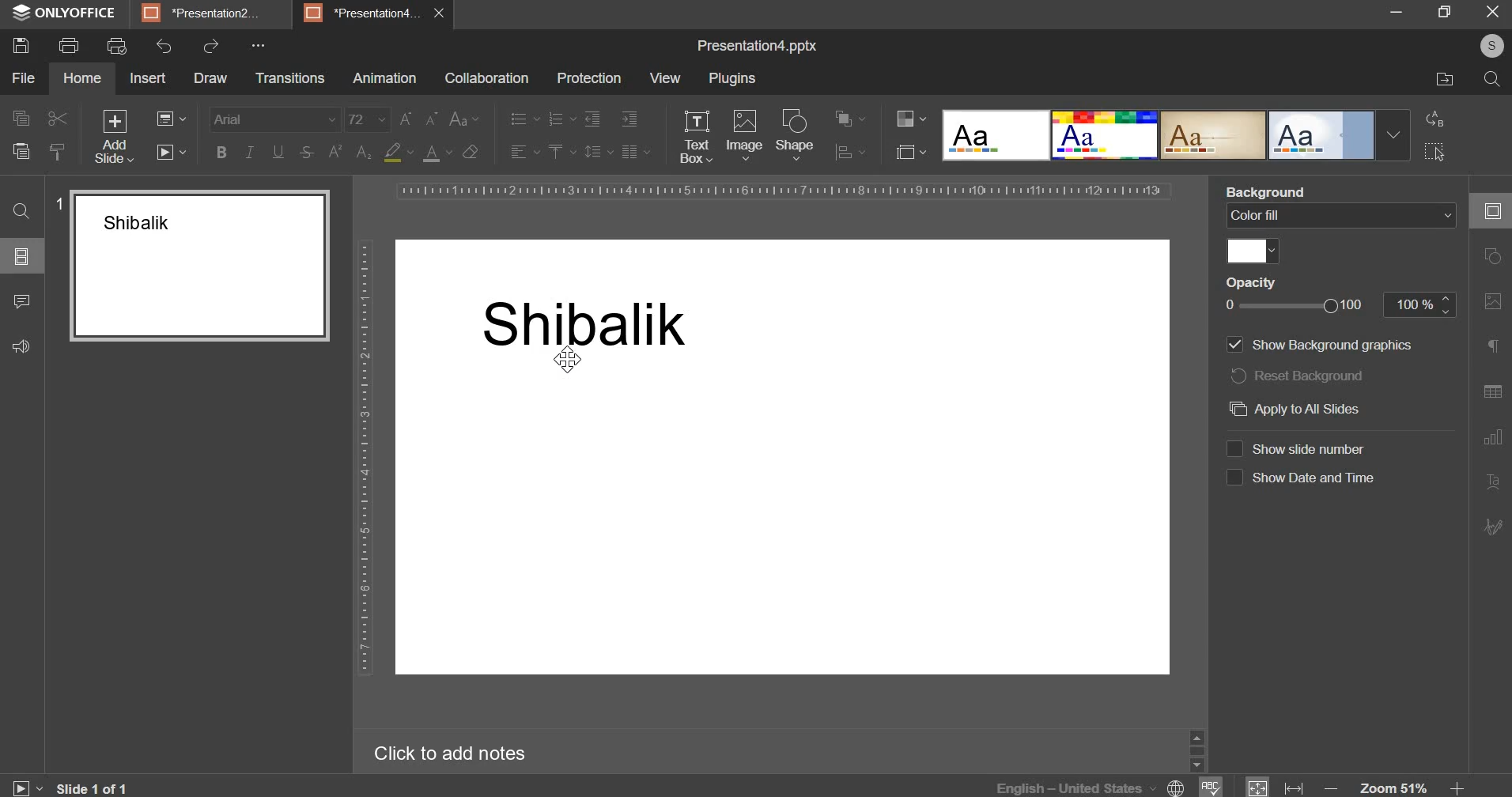 The image size is (1512, 797). Describe the element at coordinates (443, 14) in the screenshot. I see `close` at that location.